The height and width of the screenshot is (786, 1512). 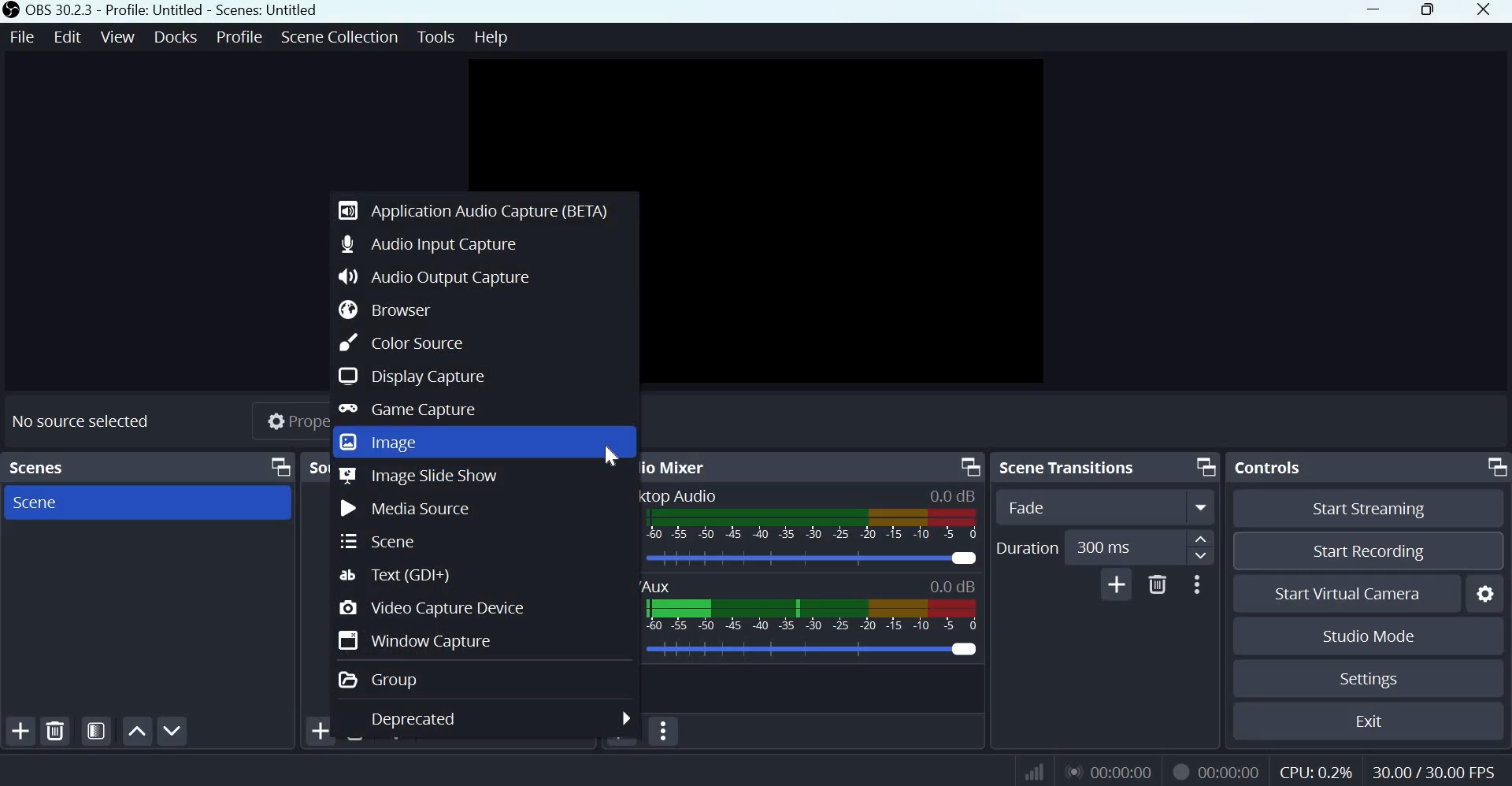 I want to click on Studio mode, so click(x=1369, y=635).